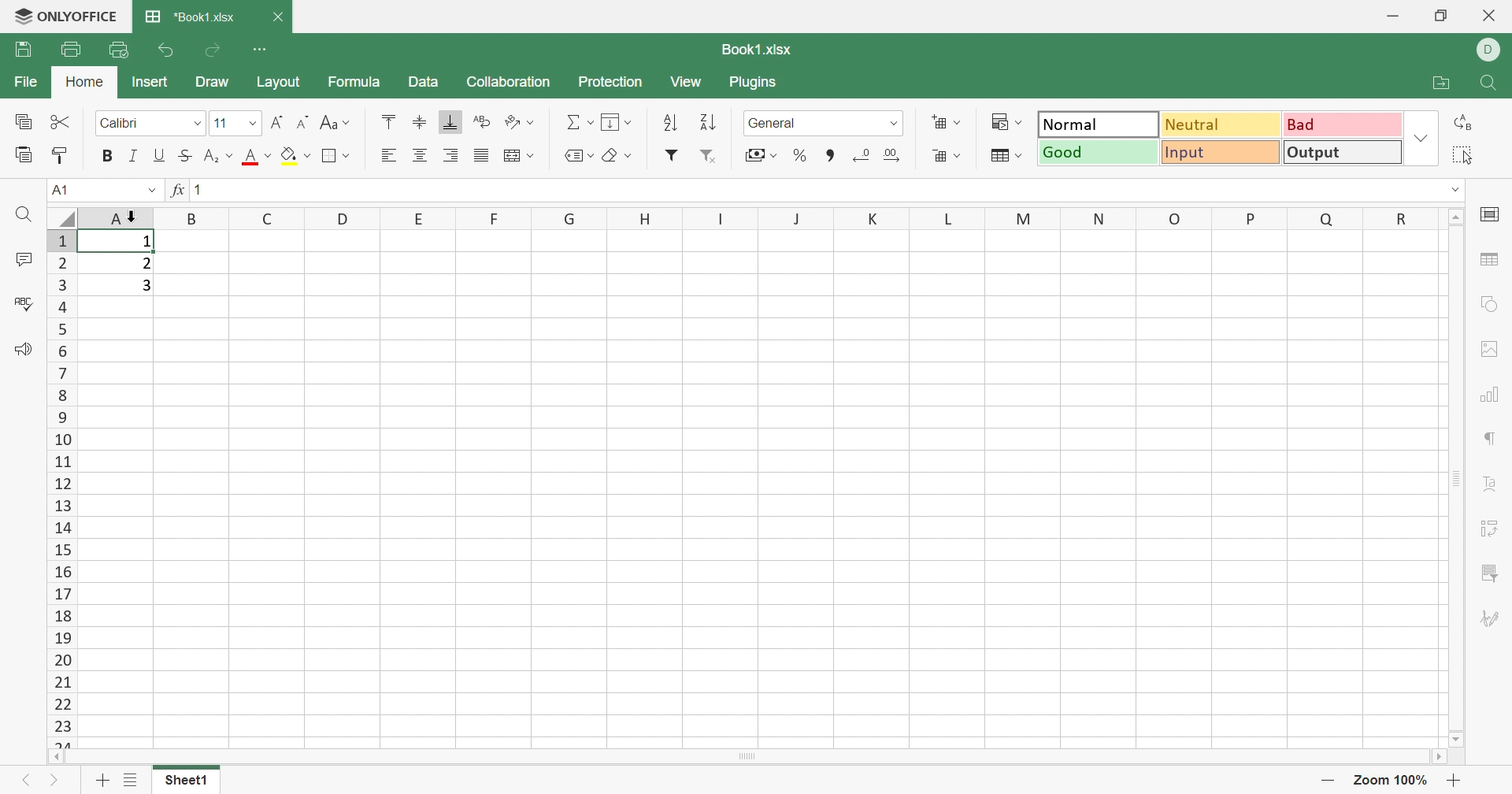 The image size is (1512, 794). What do you see at coordinates (1458, 190) in the screenshot?
I see `Drop down` at bounding box center [1458, 190].